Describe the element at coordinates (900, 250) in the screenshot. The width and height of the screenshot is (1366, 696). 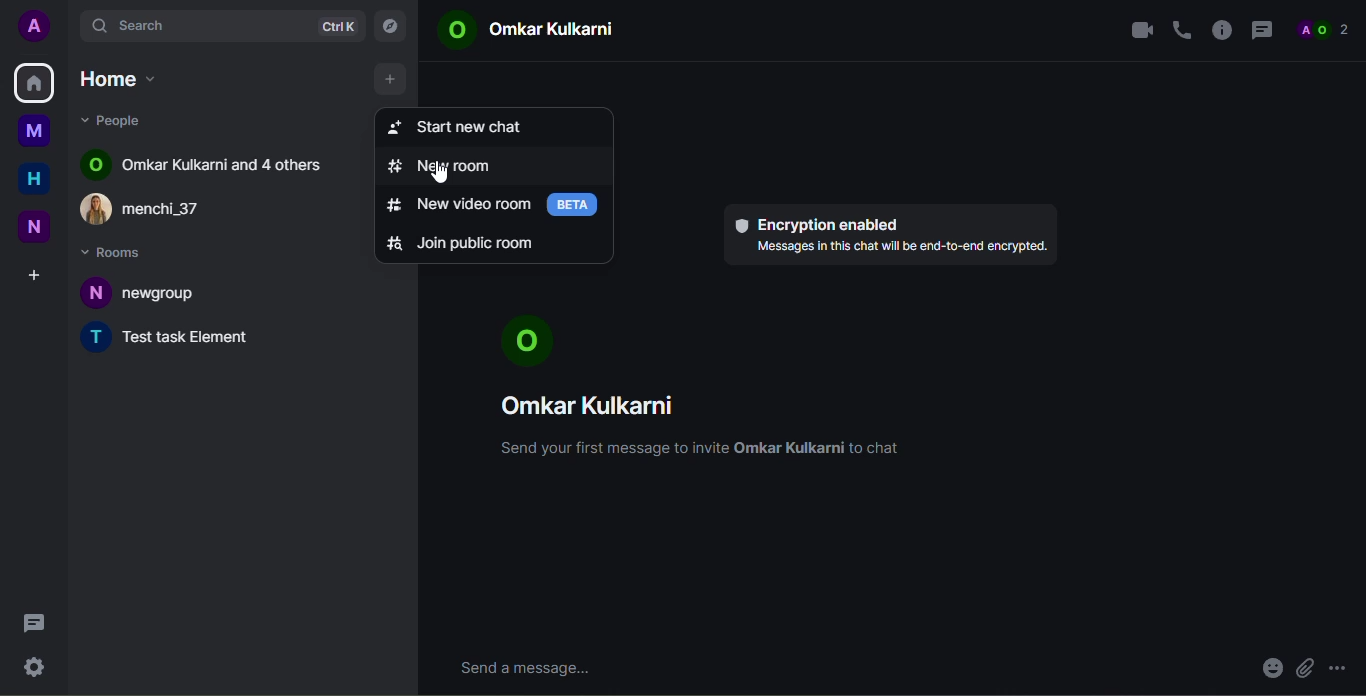
I see `Messages in this chat will be end-to-end encrypted` at that location.